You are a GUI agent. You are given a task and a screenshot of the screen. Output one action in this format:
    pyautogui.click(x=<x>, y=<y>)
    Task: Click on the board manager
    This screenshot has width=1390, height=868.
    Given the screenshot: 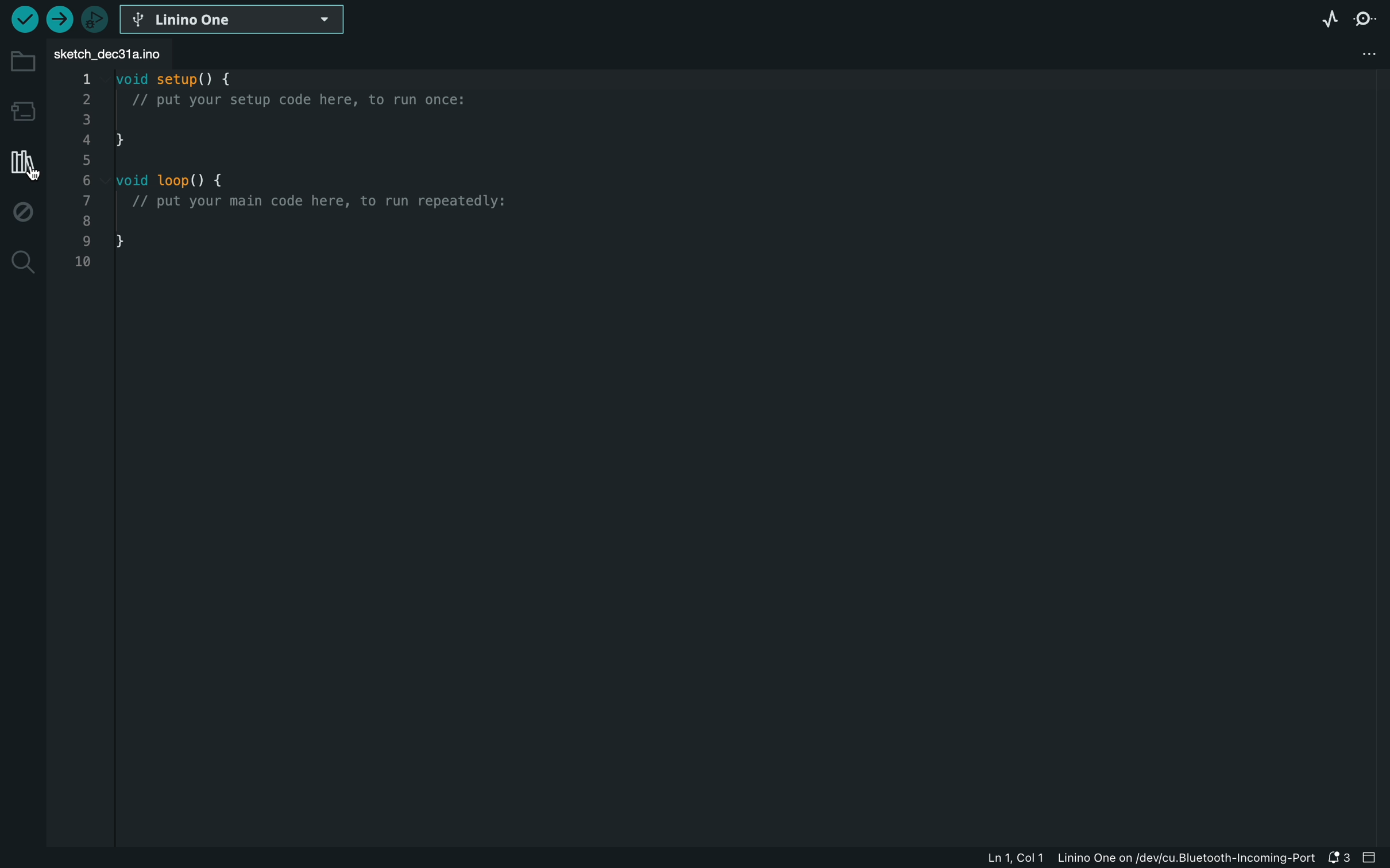 What is the action you would take?
    pyautogui.click(x=21, y=110)
    